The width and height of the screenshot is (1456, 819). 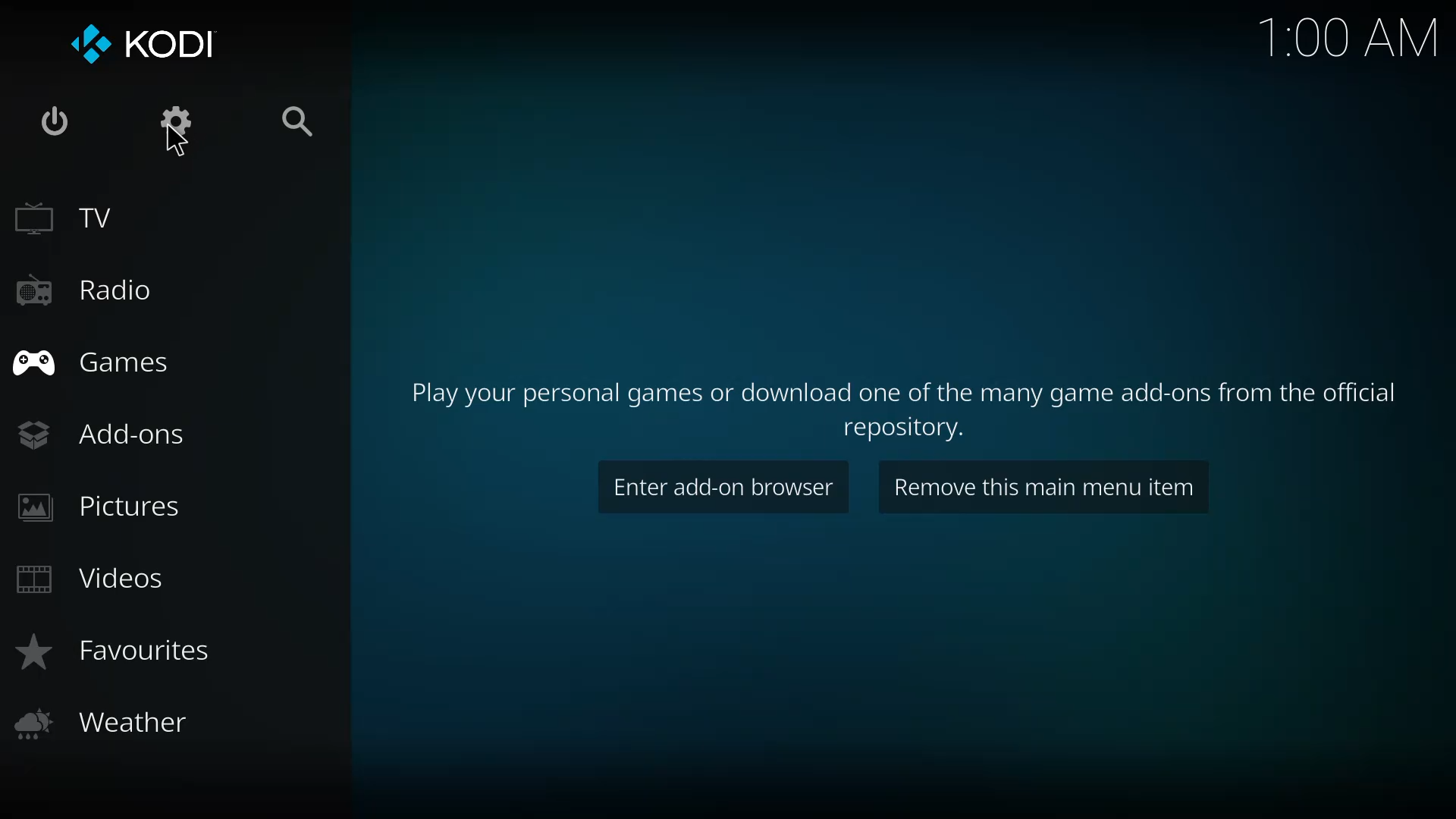 I want to click on remove, so click(x=1044, y=489).